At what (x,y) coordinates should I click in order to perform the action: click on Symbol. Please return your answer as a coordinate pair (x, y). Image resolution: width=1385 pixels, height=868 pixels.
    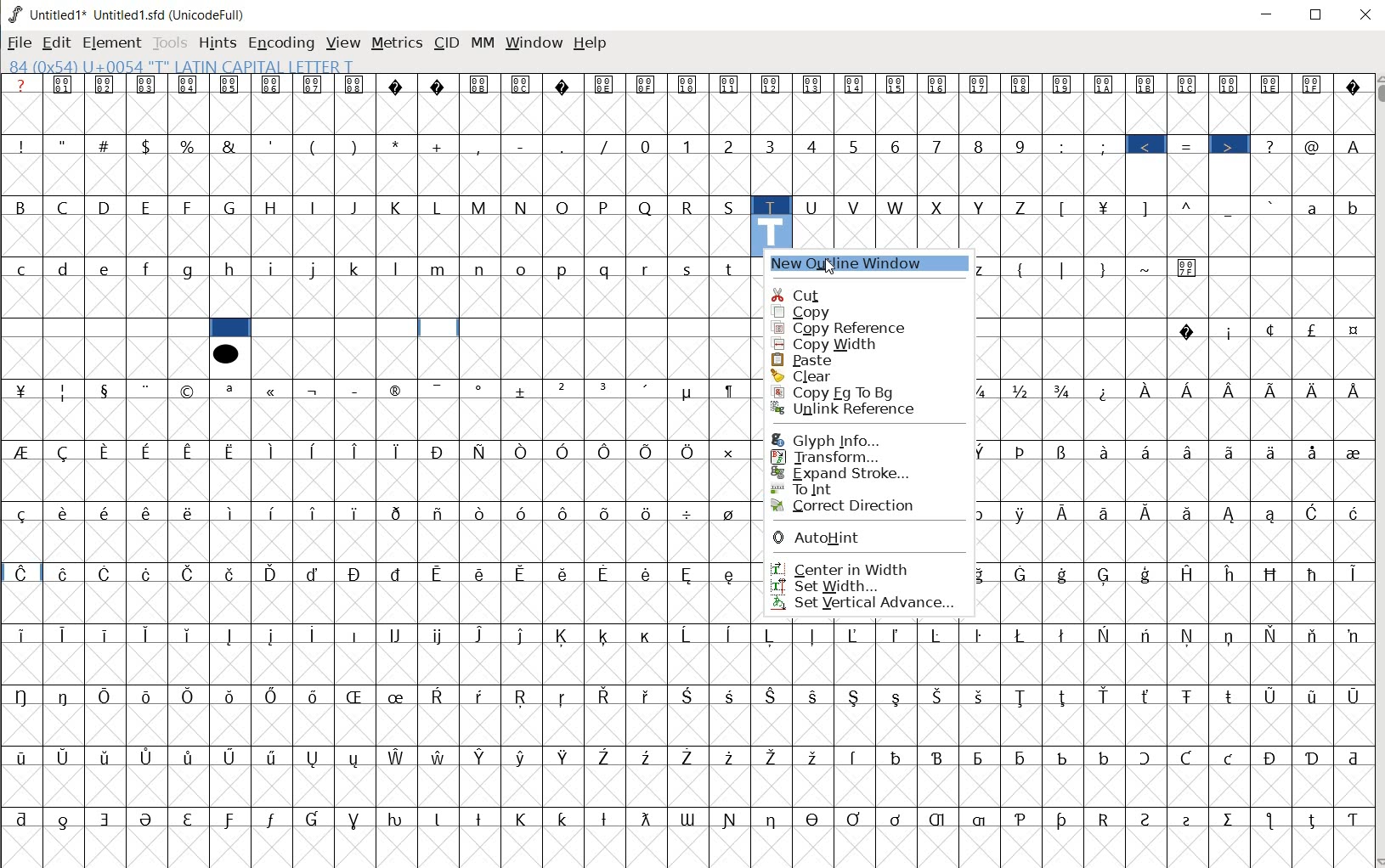
    Looking at the image, I should click on (1274, 515).